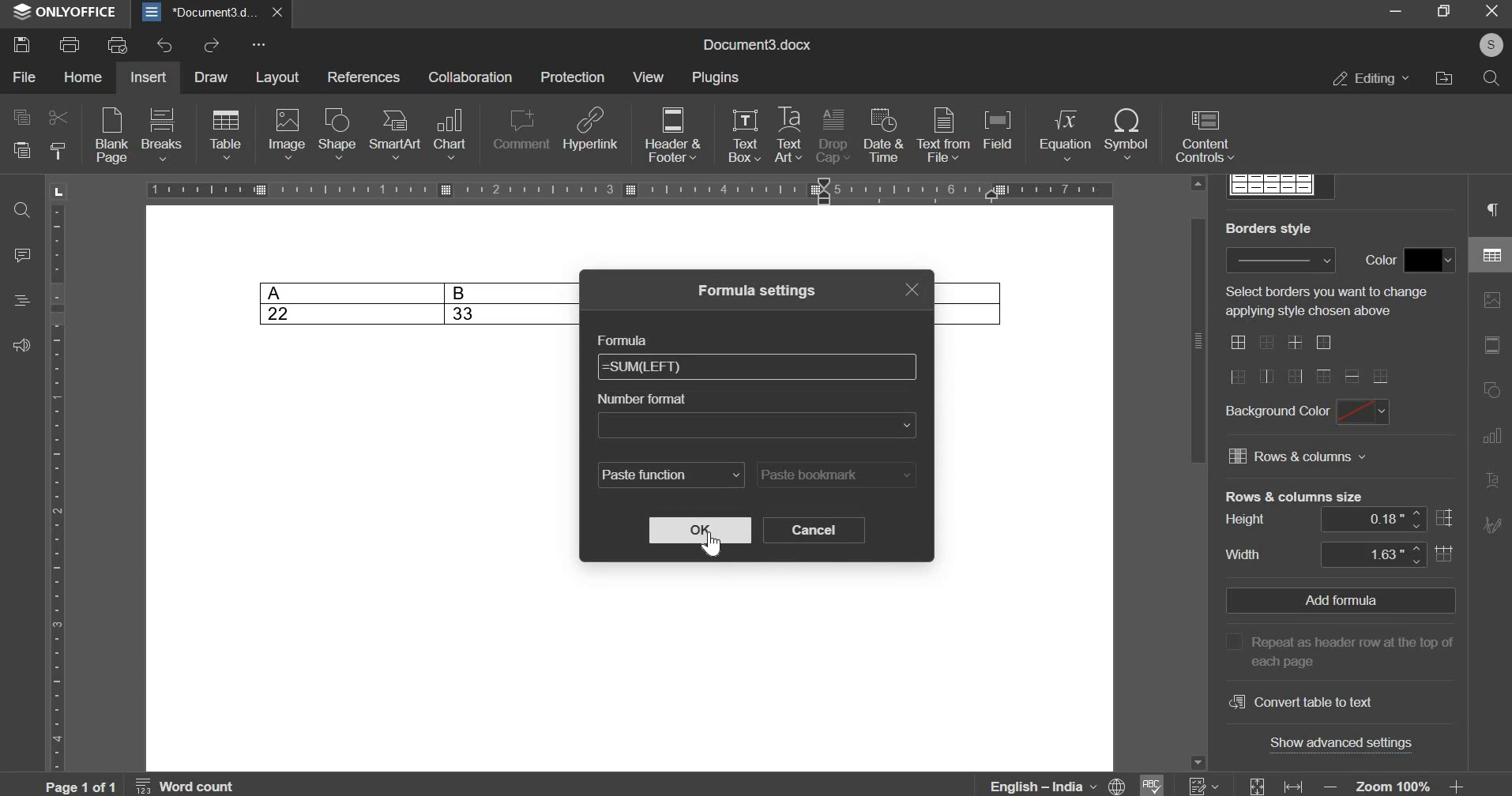 Image resolution: width=1512 pixels, height=796 pixels. What do you see at coordinates (720, 78) in the screenshot?
I see `plugins` at bounding box center [720, 78].